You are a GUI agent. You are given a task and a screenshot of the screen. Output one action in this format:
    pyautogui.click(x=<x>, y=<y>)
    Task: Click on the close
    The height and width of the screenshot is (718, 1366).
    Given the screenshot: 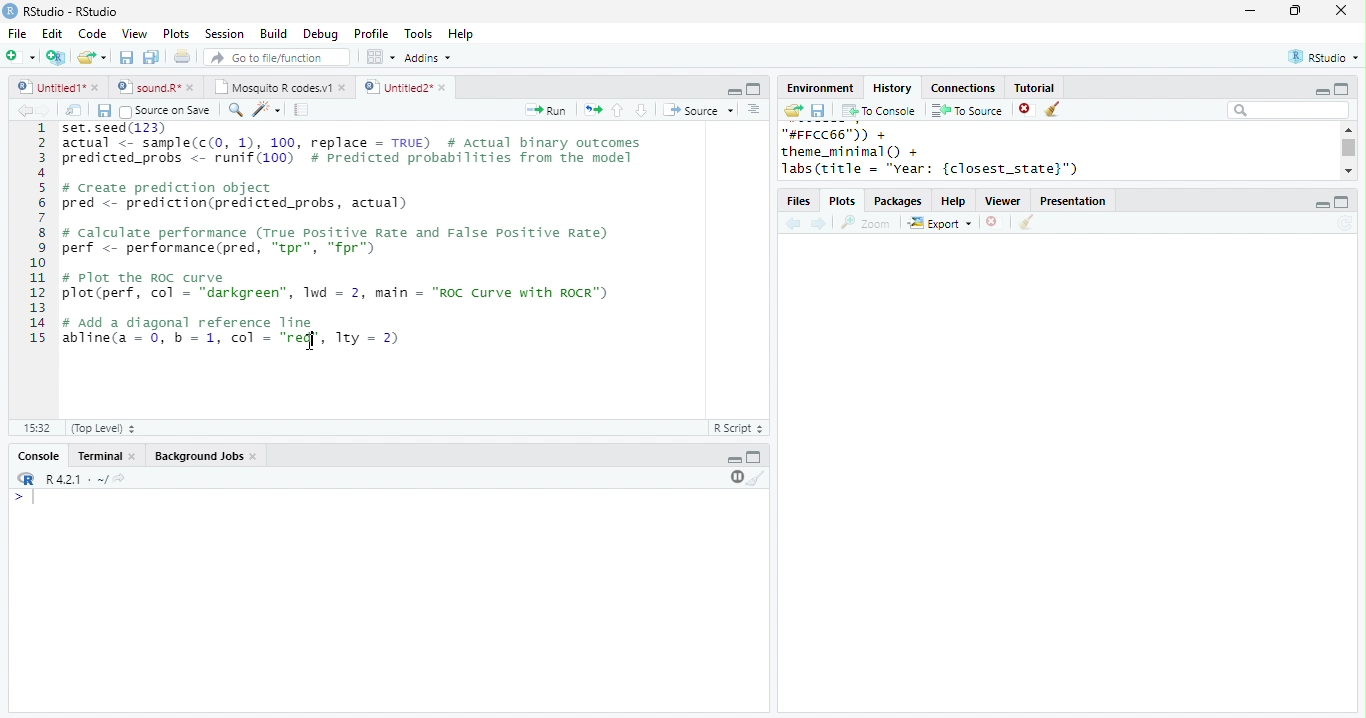 What is the action you would take?
    pyautogui.click(x=256, y=457)
    